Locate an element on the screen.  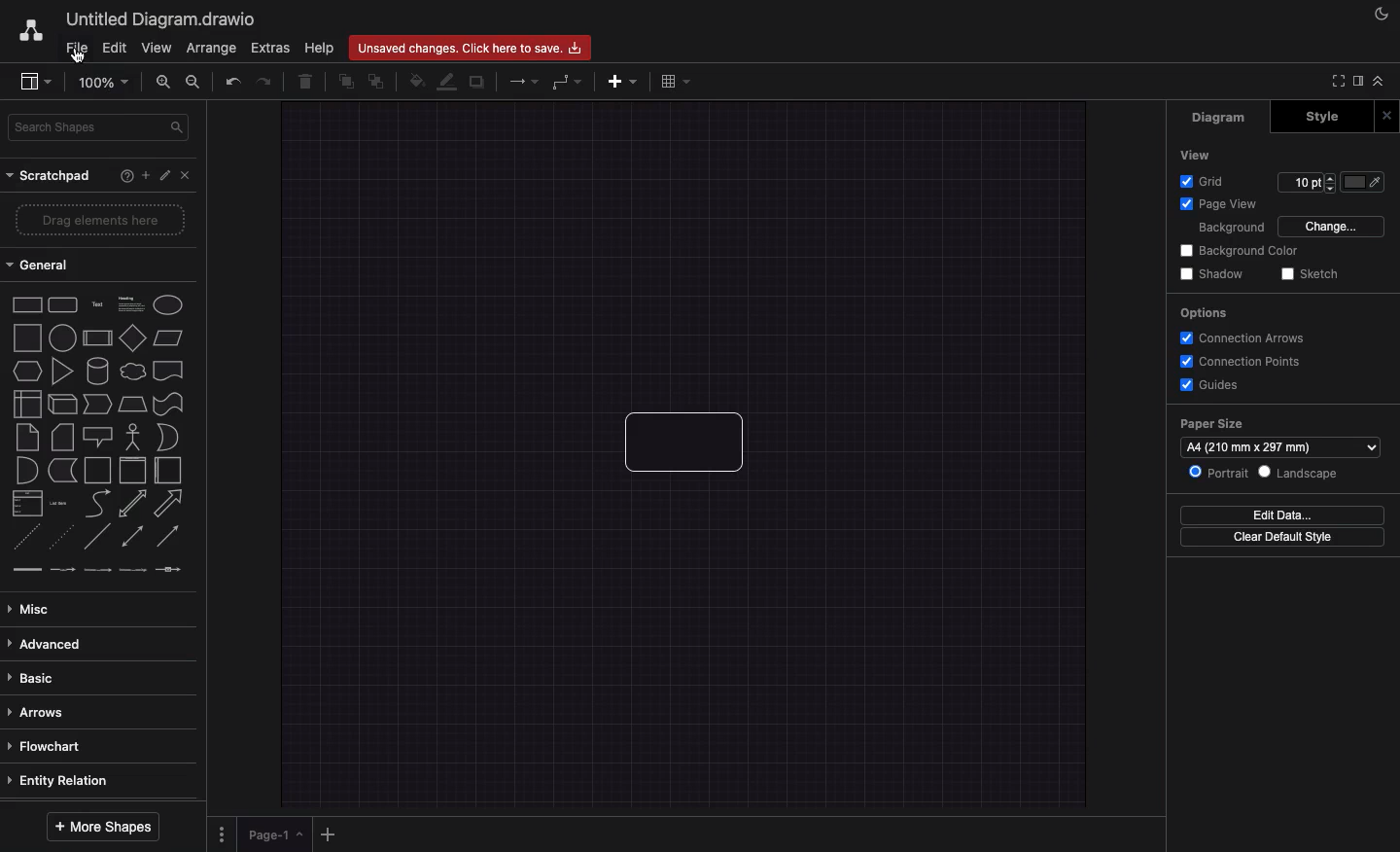
Collapse is located at coordinates (1379, 82).